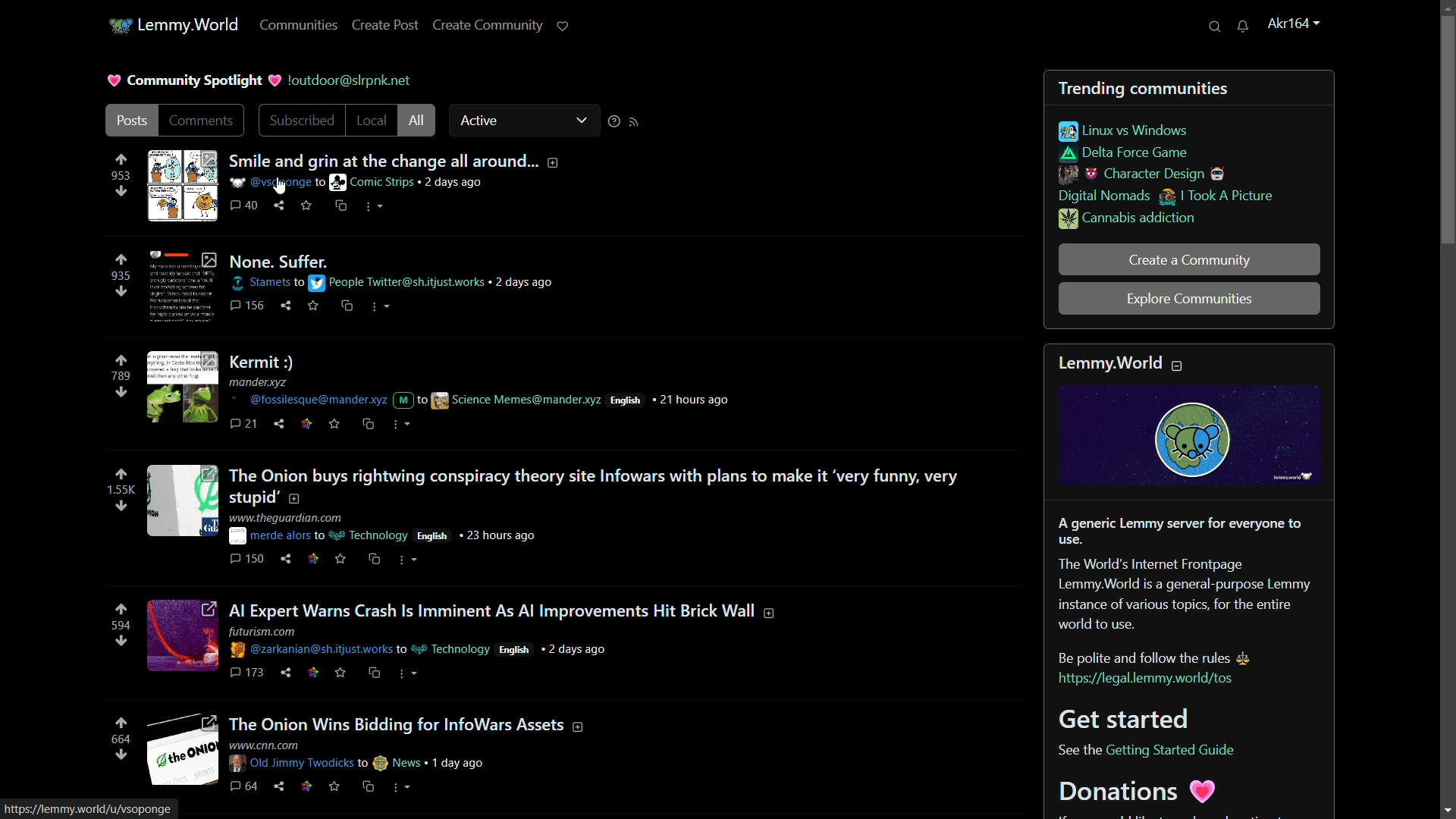 This screenshot has height=819, width=1456. I want to click on image, so click(184, 748).